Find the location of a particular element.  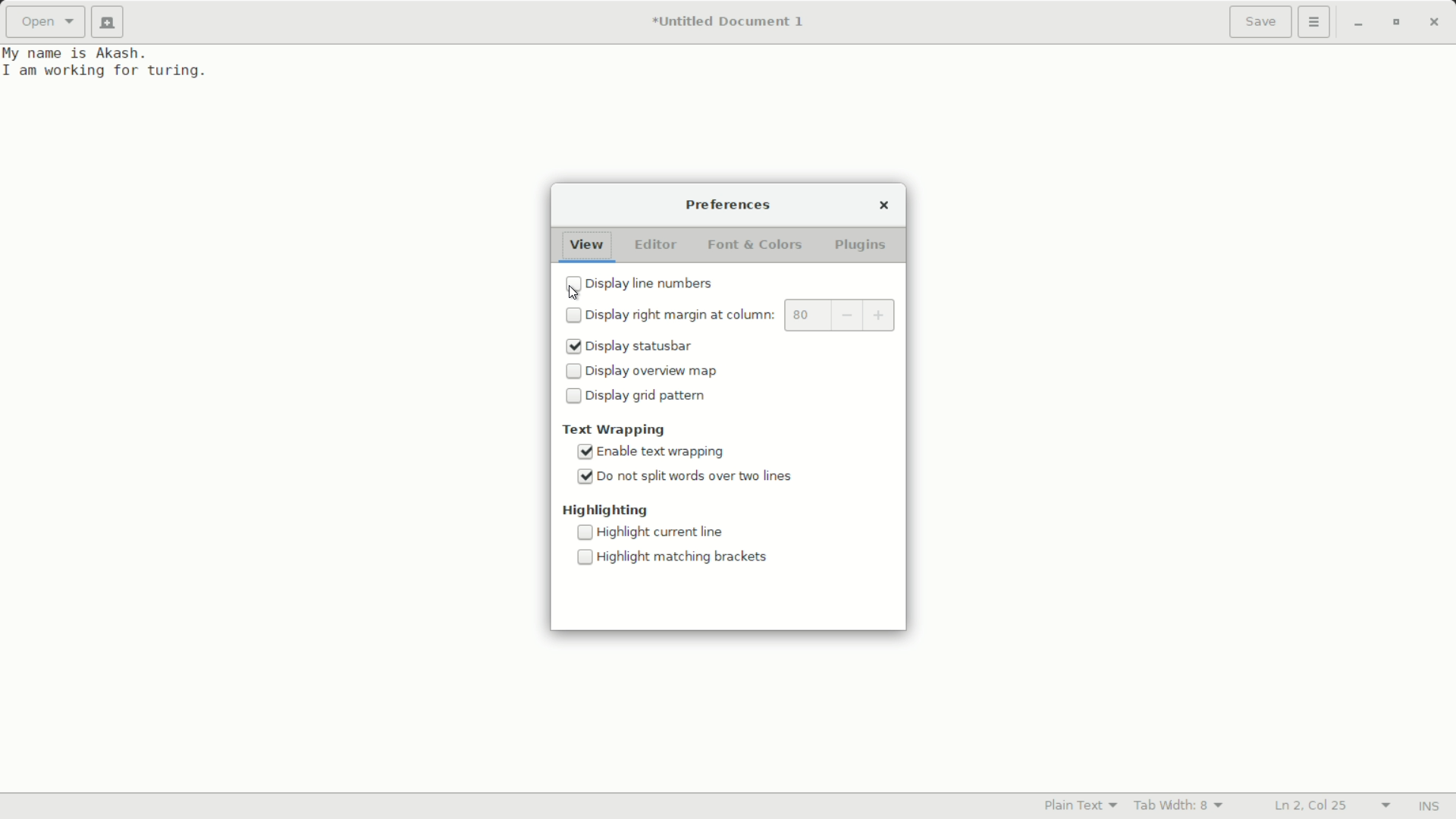

text wrapping is located at coordinates (616, 429).